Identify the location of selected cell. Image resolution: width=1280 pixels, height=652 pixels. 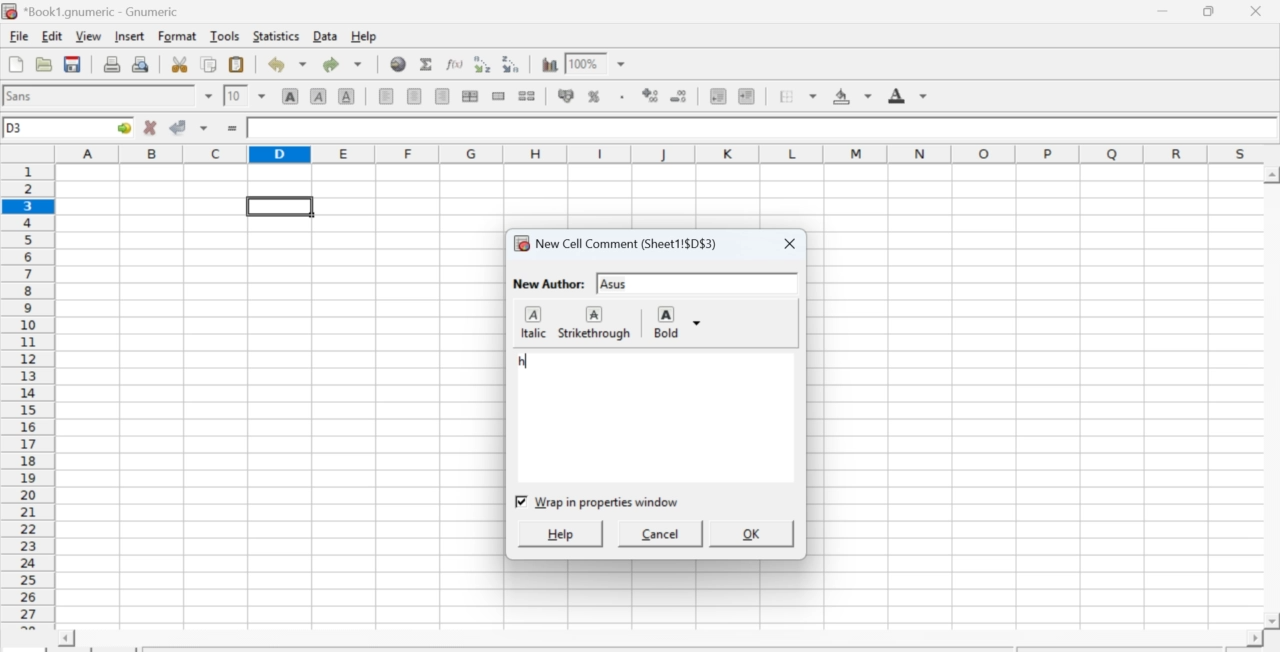
(279, 205).